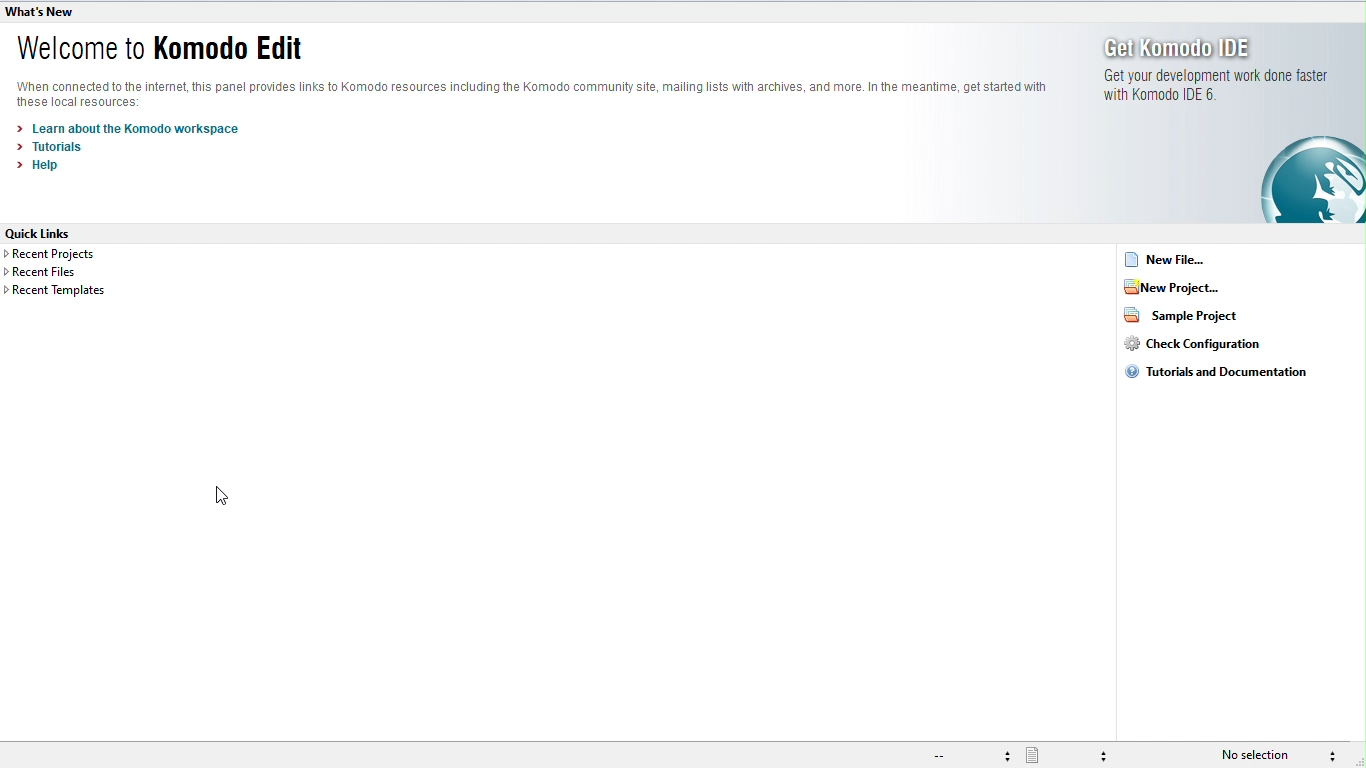 This screenshot has width=1366, height=768. Describe the element at coordinates (42, 167) in the screenshot. I see `help` at that location.